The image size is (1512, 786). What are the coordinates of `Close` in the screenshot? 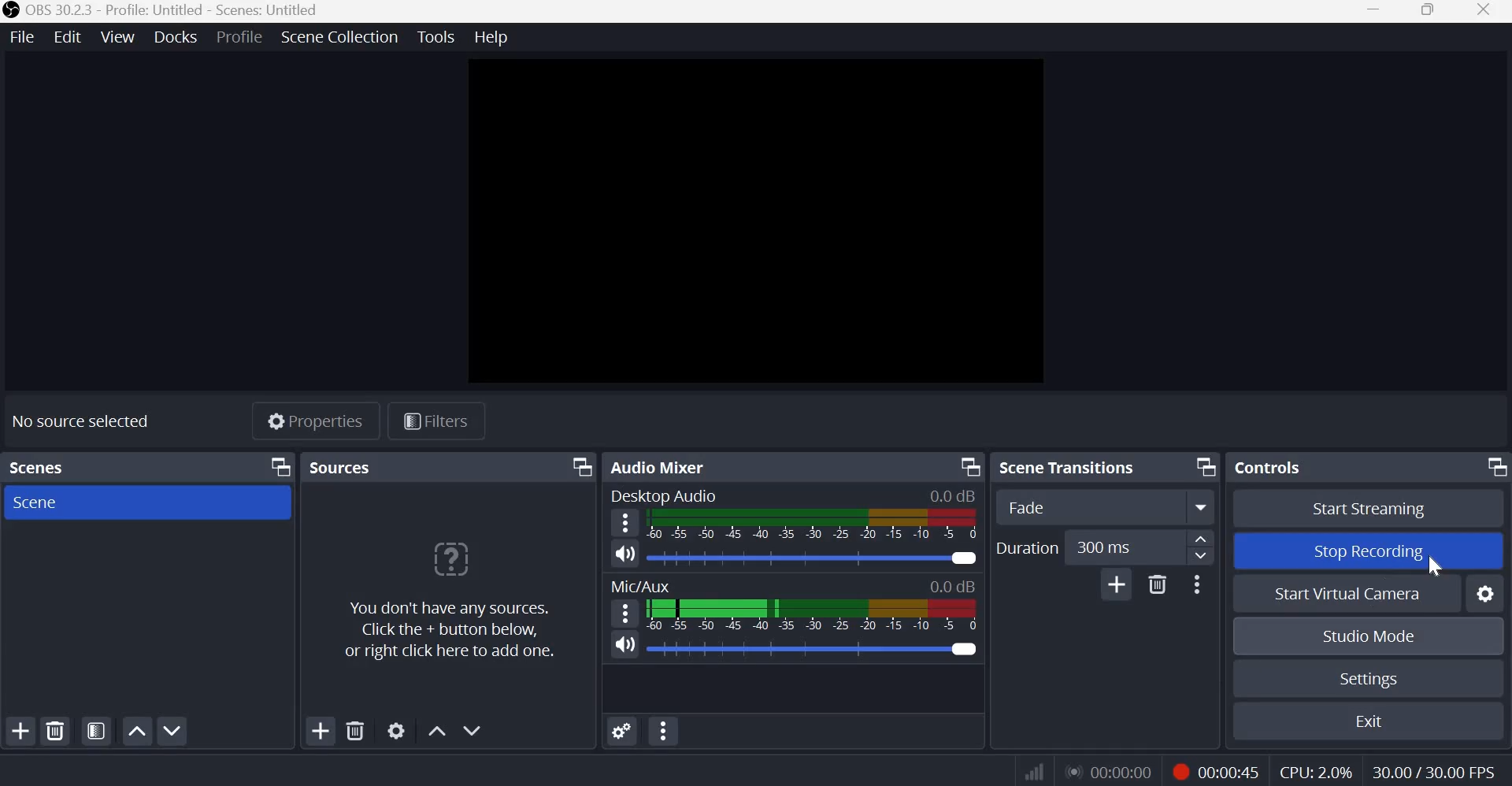 It's located at (1488, 13).